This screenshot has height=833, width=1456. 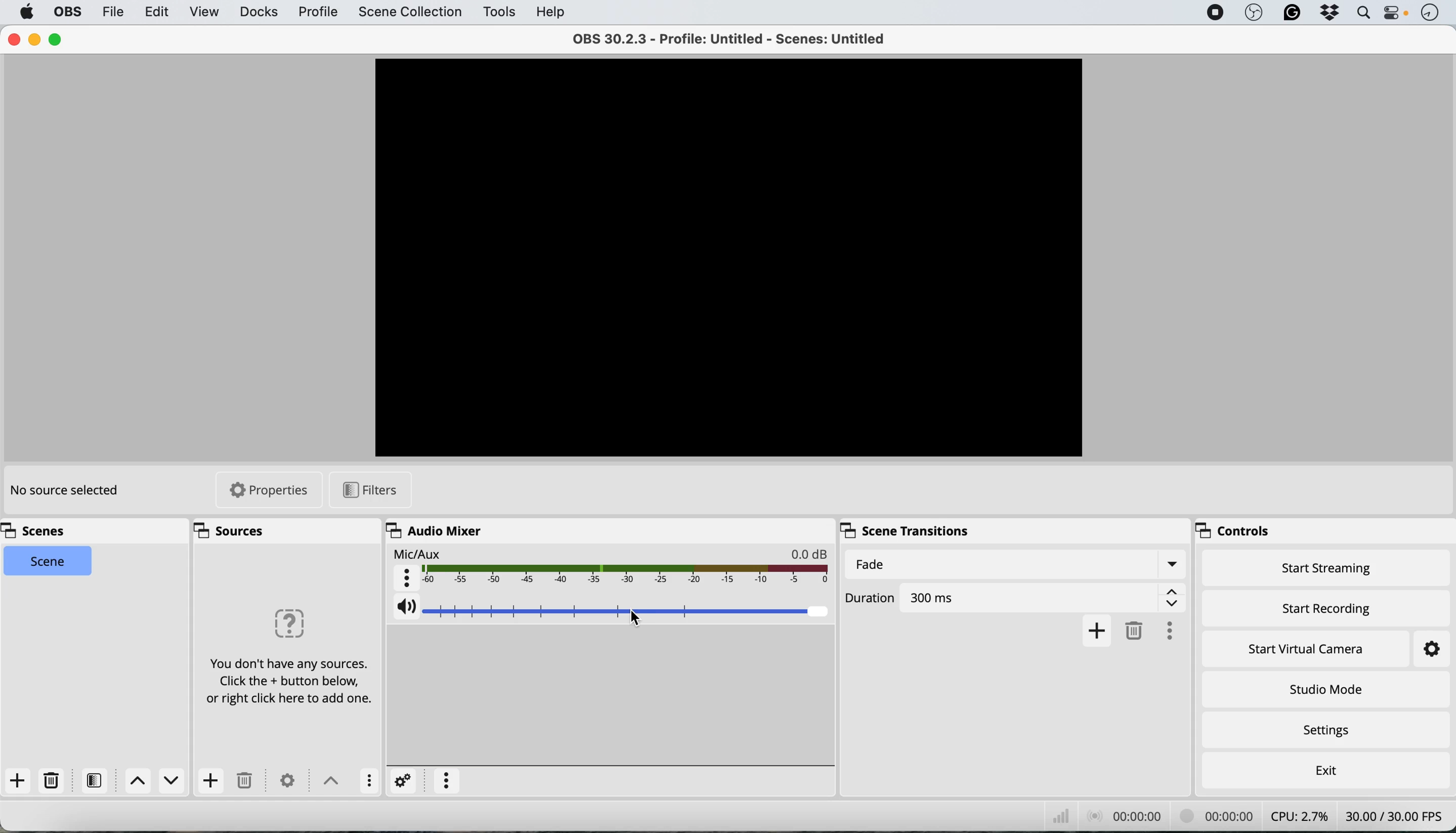 I want to click on Scene/Video Preview, so click(x=730, y=257).